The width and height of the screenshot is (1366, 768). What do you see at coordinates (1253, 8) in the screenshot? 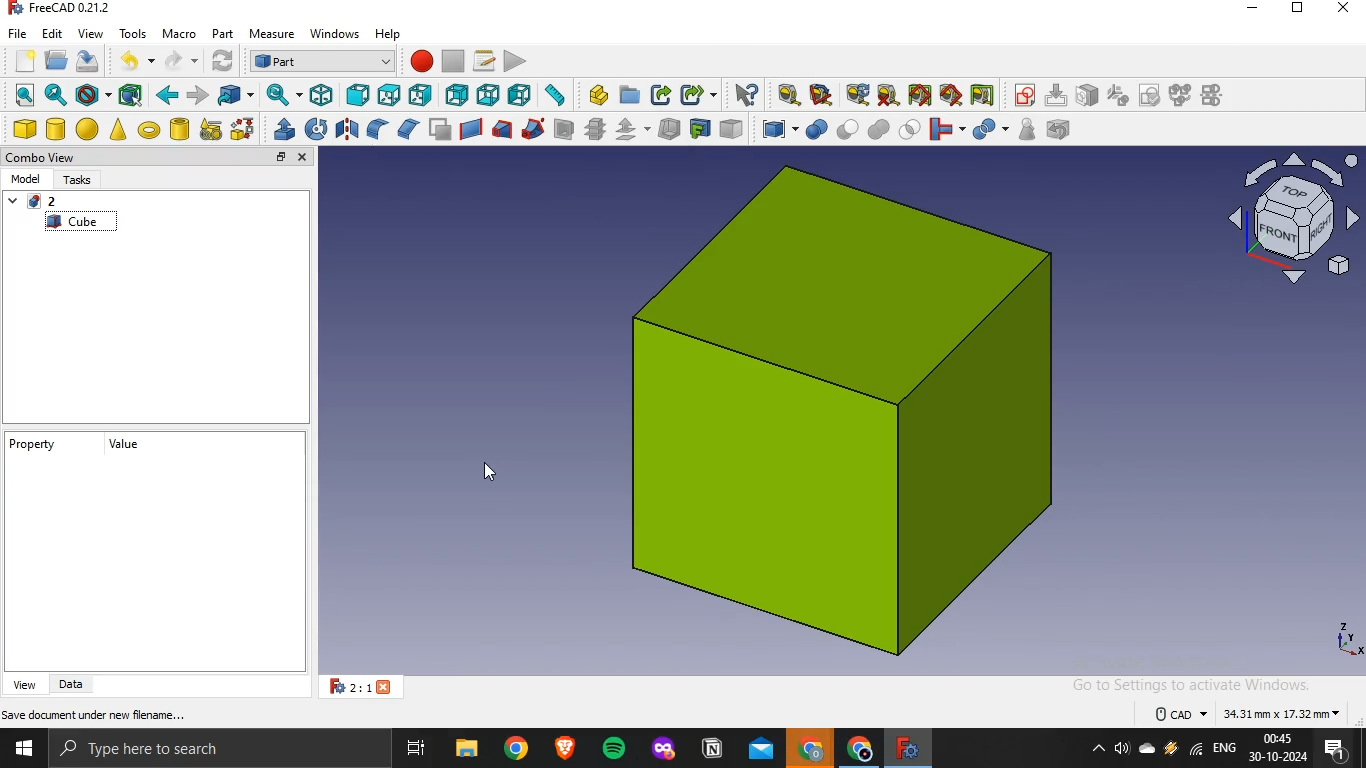
I see `minimize` at bounding box center [1253, 8].